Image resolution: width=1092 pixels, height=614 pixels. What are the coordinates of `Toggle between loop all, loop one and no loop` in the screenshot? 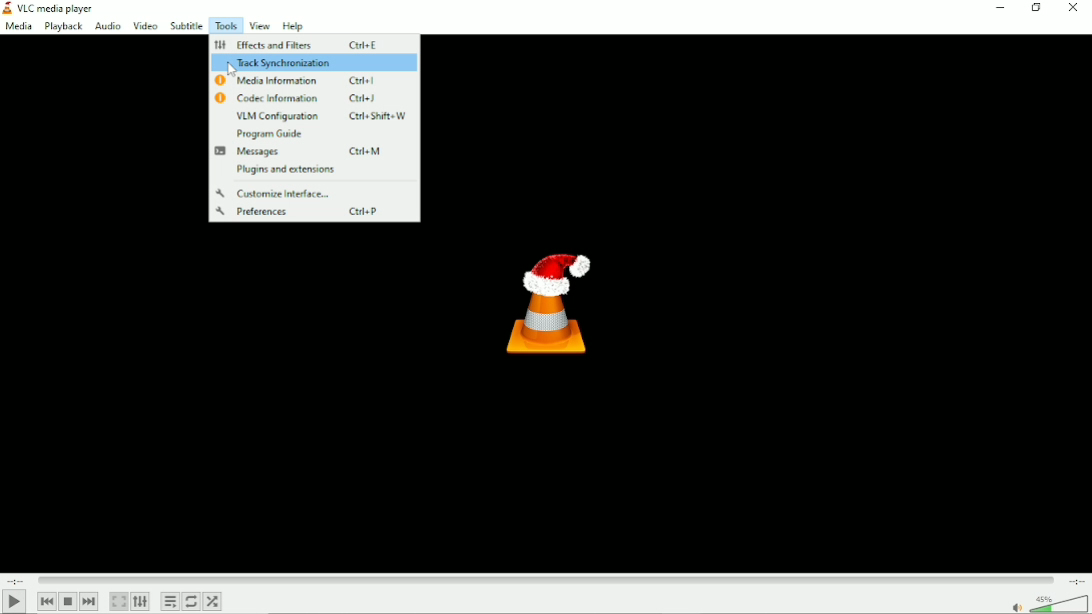 It's located at (190, 601).